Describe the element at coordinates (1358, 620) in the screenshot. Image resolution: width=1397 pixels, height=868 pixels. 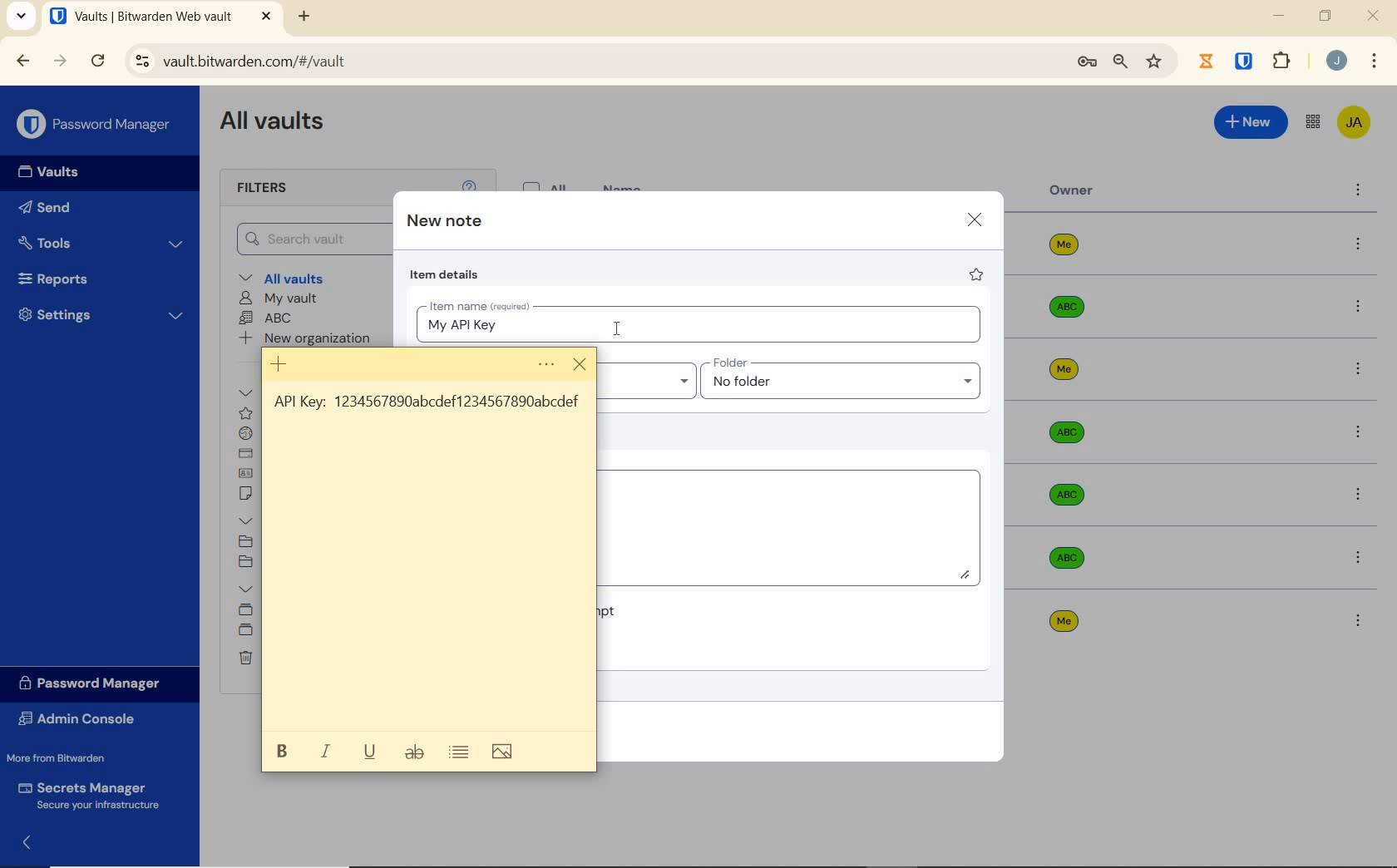
I see `more options` at that location.